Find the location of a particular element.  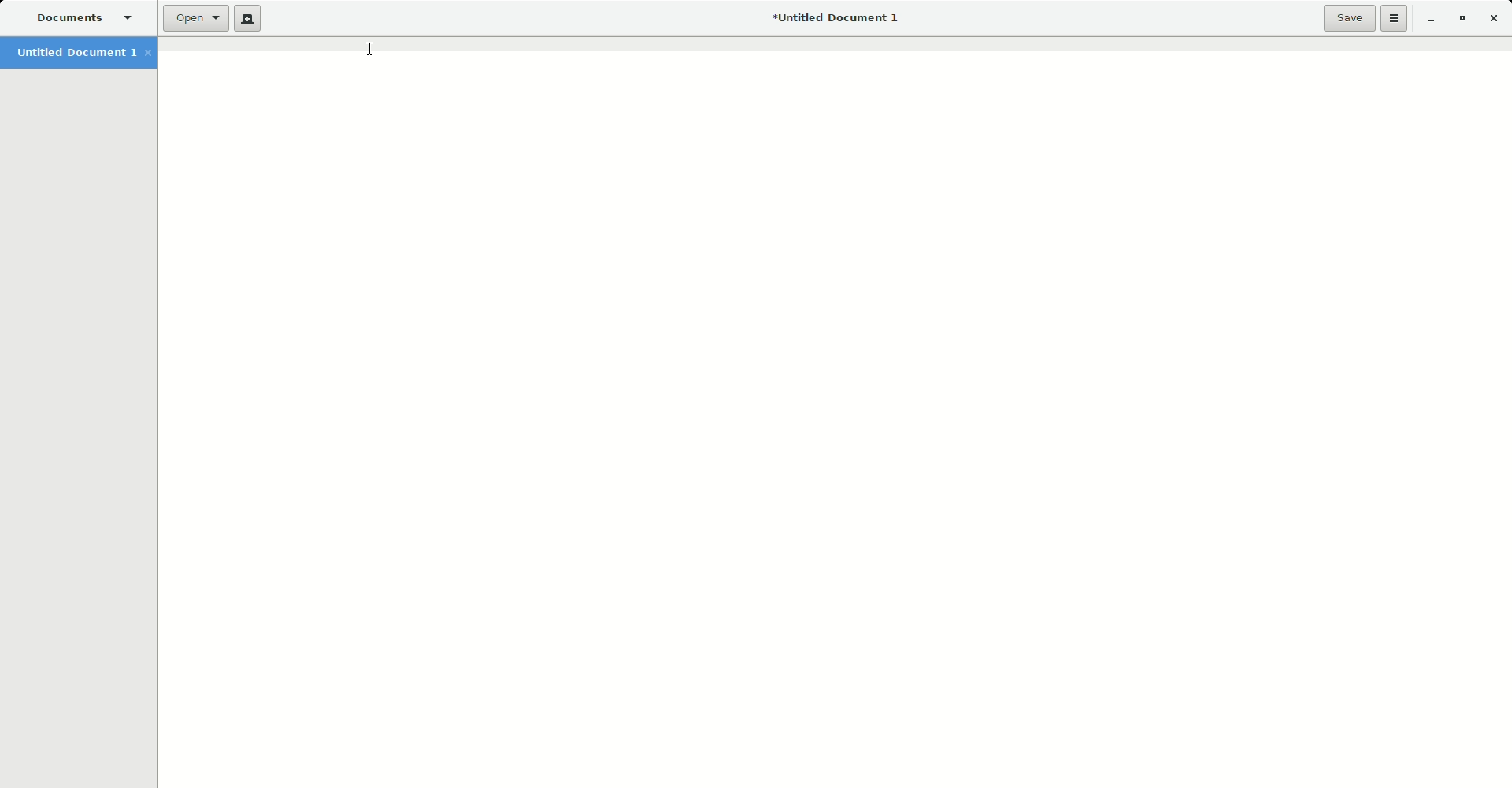

Save is located at coordinates (1348, 20).